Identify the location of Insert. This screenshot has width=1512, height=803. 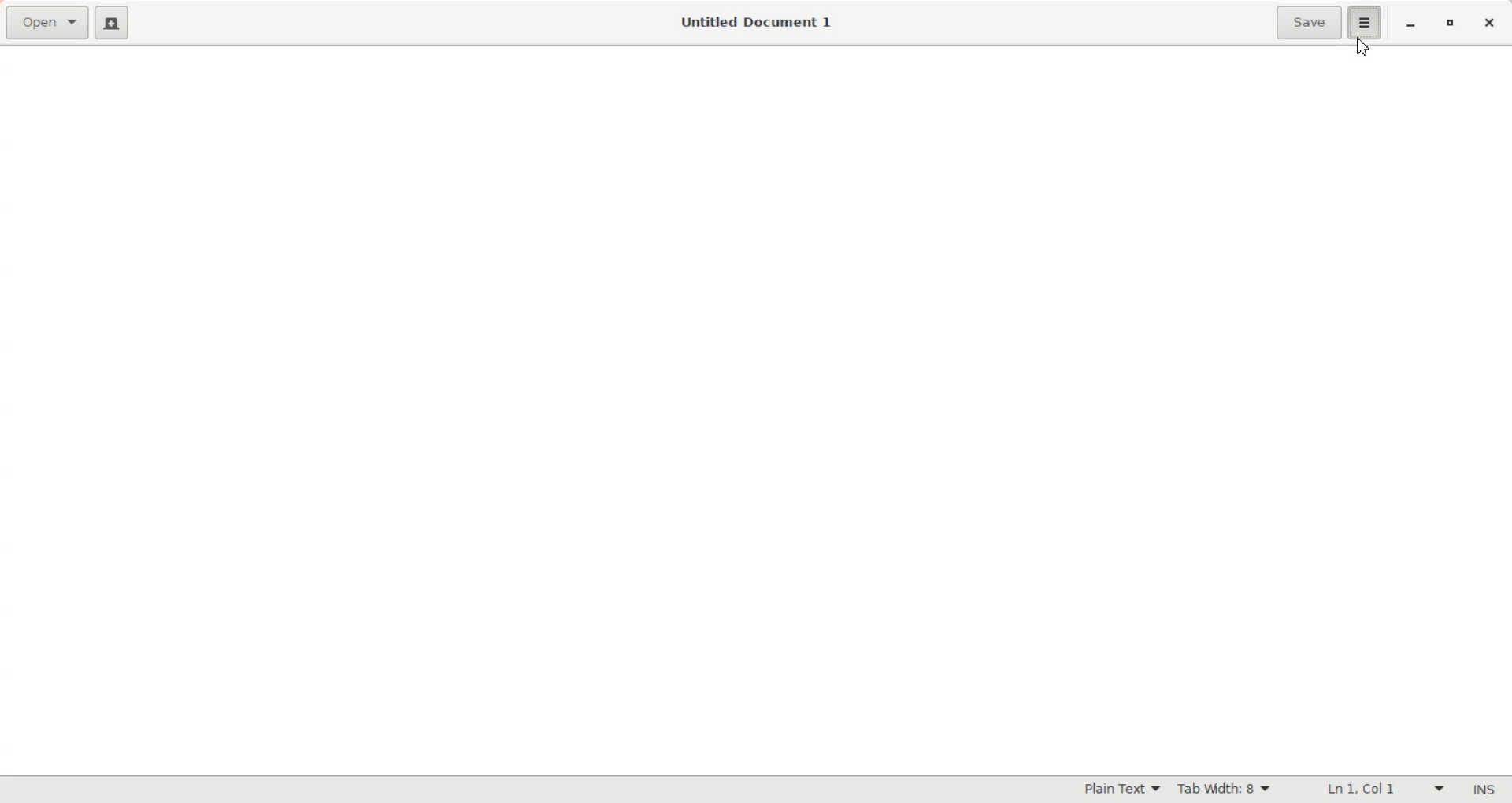
(1479, 790).